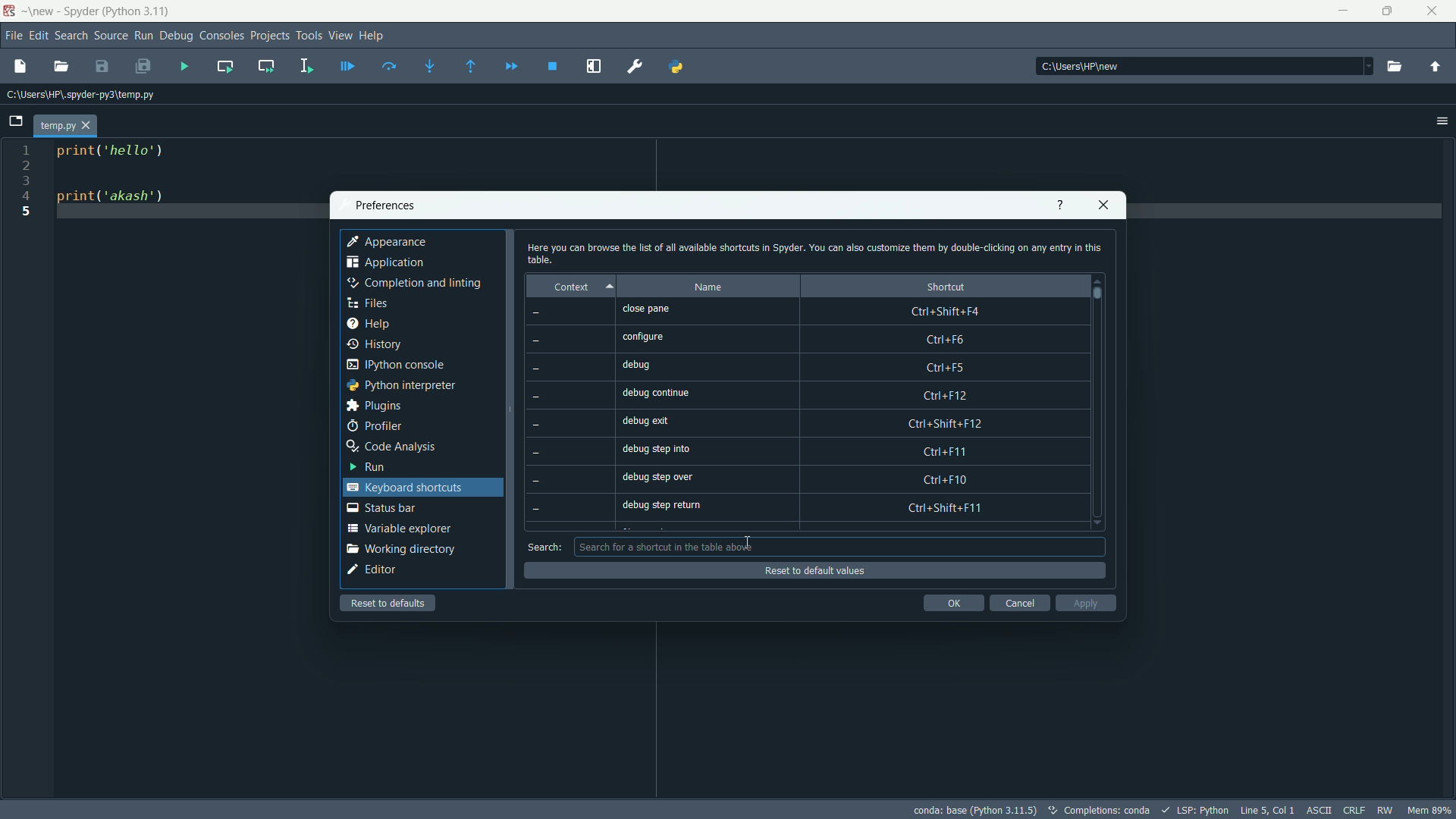 This screenshot has width=1456, height=819. I want to click on open file, so click(64, 66).